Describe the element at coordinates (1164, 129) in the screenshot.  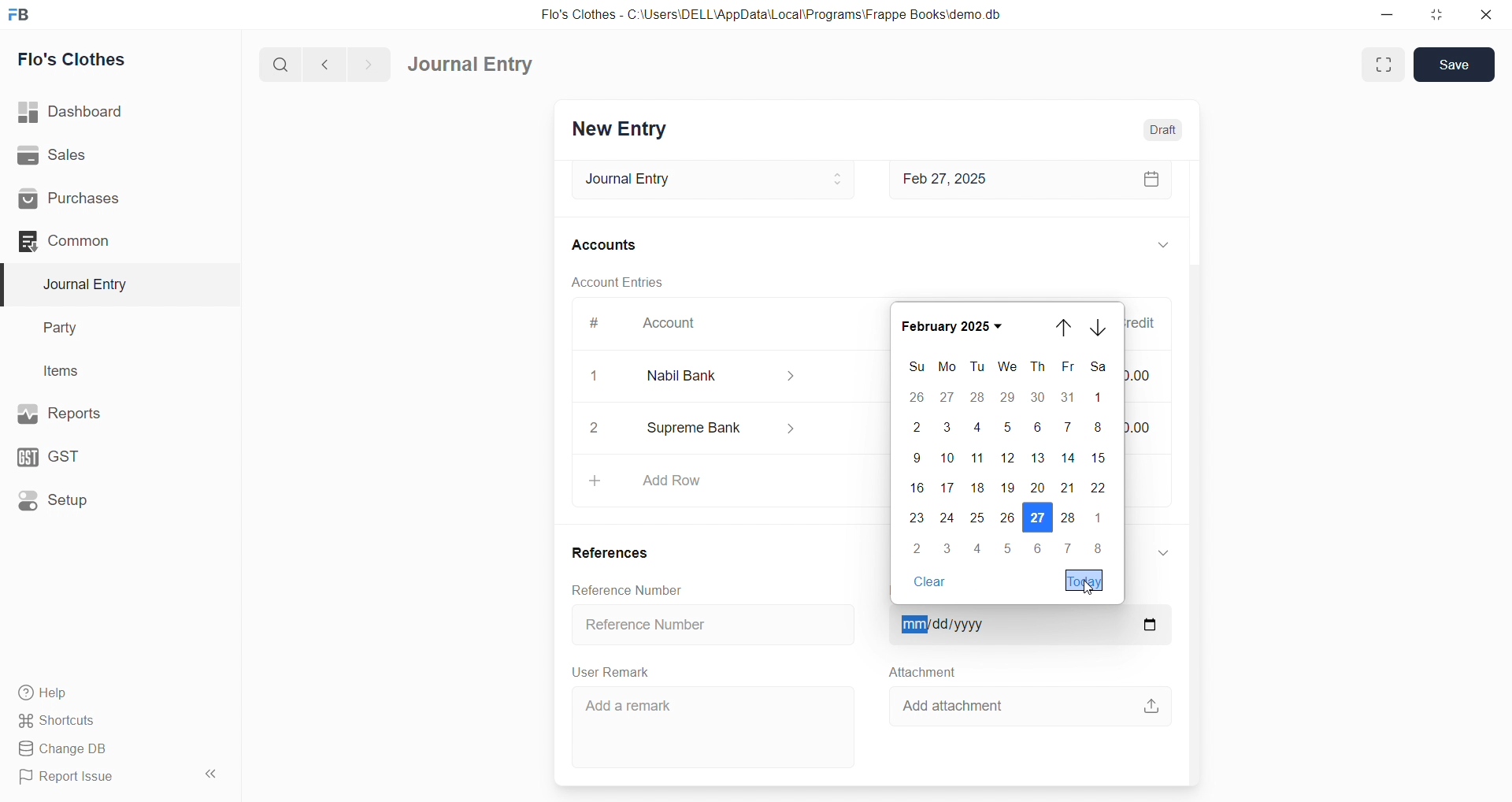
I see `Draft` at that location.